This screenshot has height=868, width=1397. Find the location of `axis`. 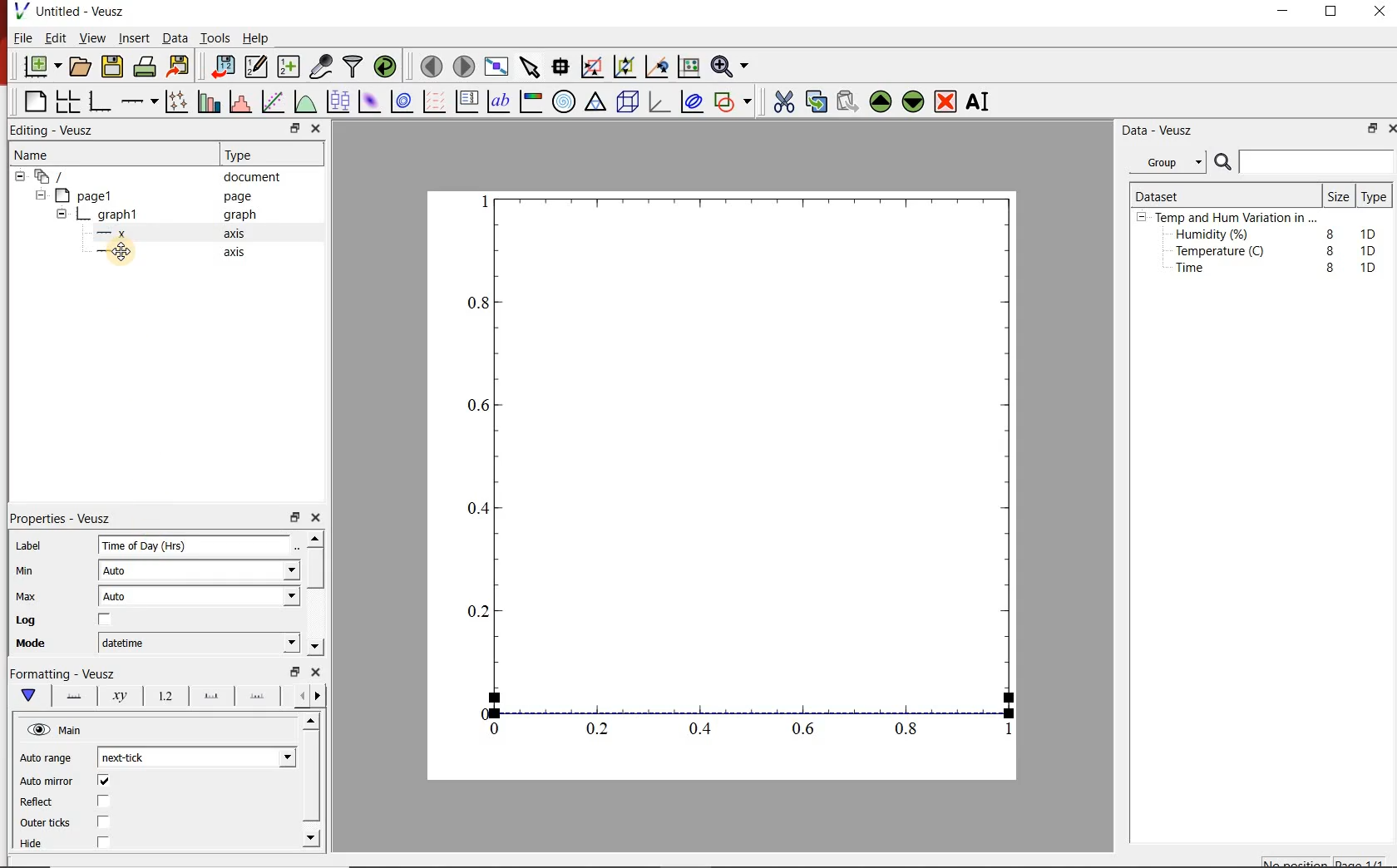

axis is located at coordinates (238, 254).